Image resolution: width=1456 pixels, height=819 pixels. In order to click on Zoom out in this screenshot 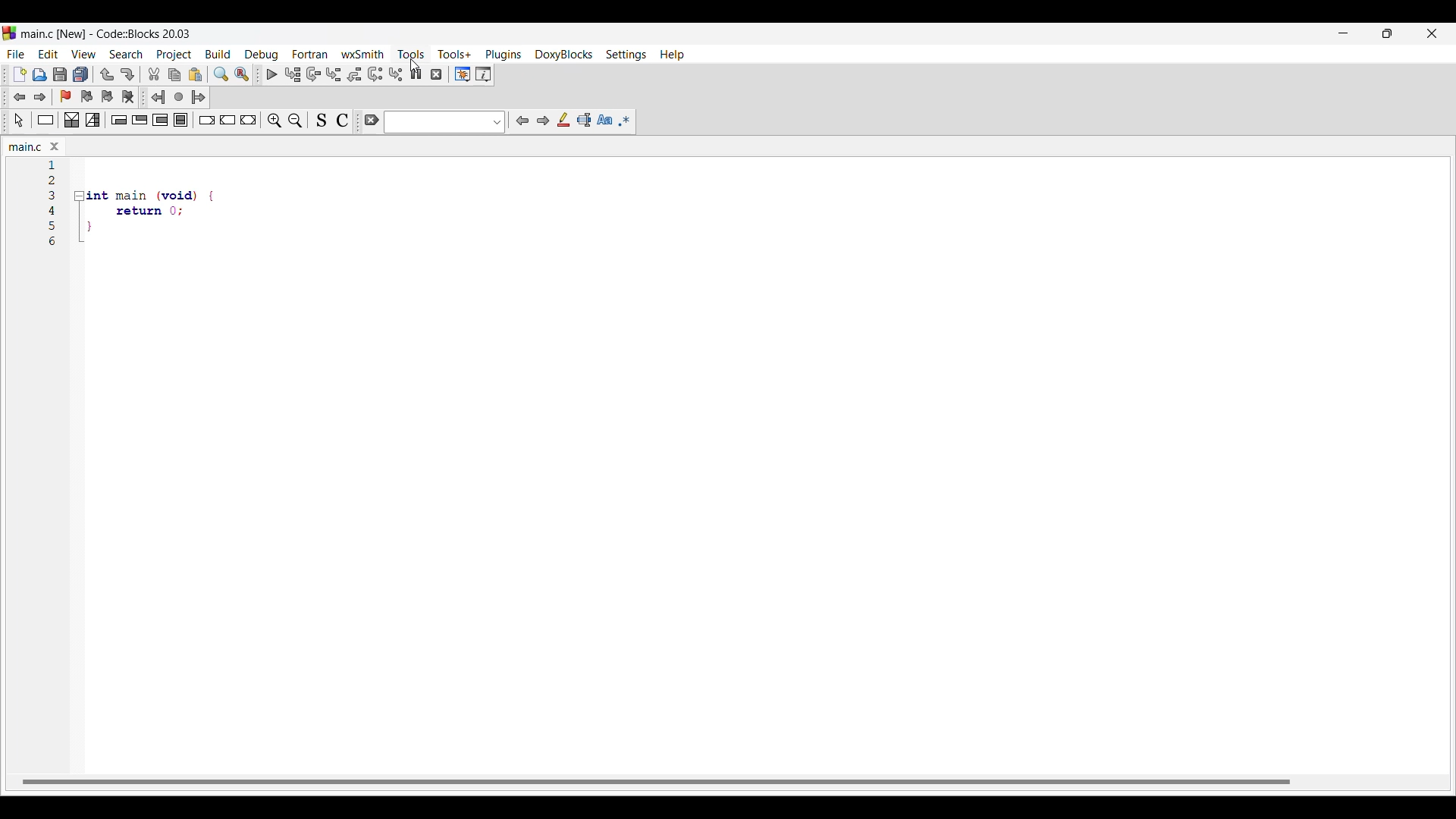, I will do `click(295, 121)`.